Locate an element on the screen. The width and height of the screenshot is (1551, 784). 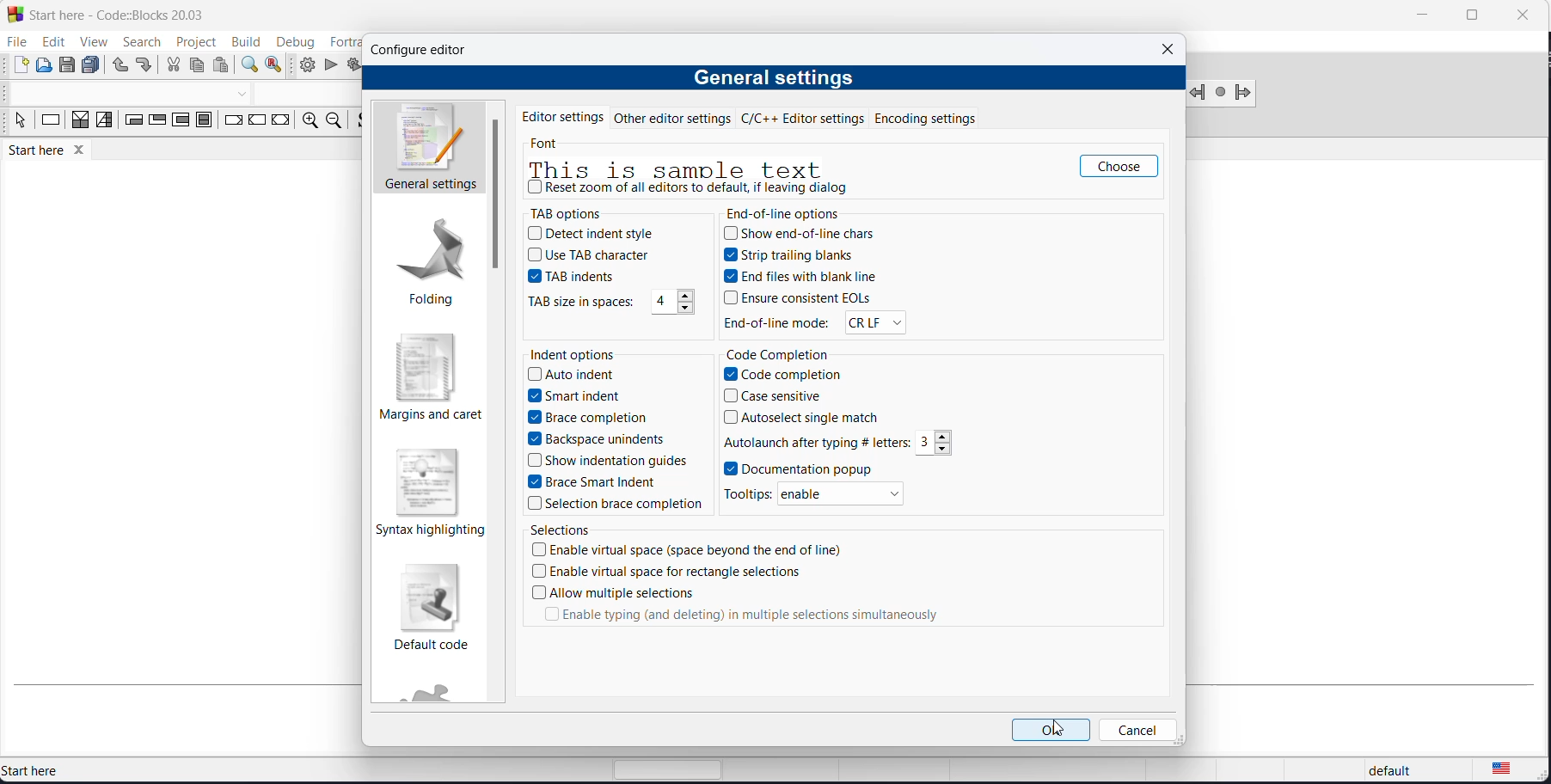
tooltips is located at coordinates (748, 493).